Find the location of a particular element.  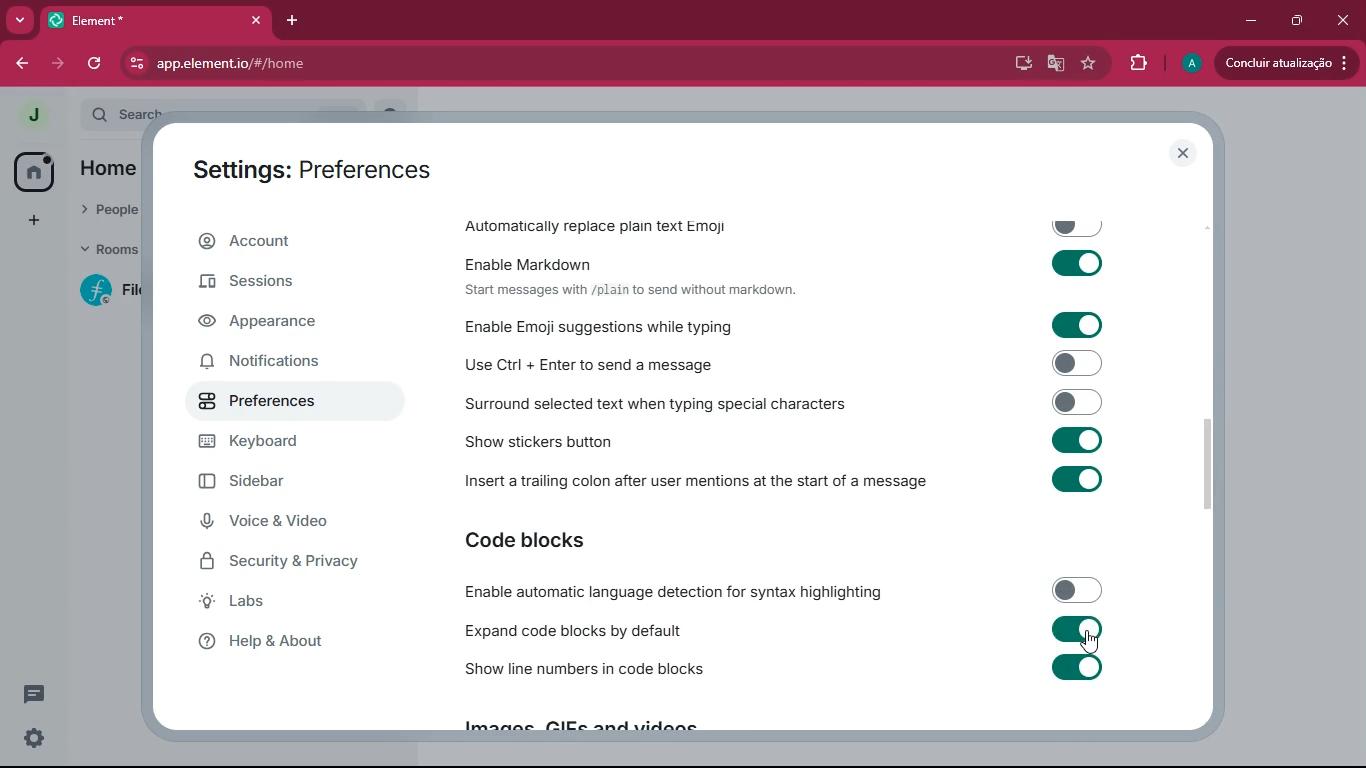

‘Start messages with /plain to send without markdown. is located at coordinates (638, 291).